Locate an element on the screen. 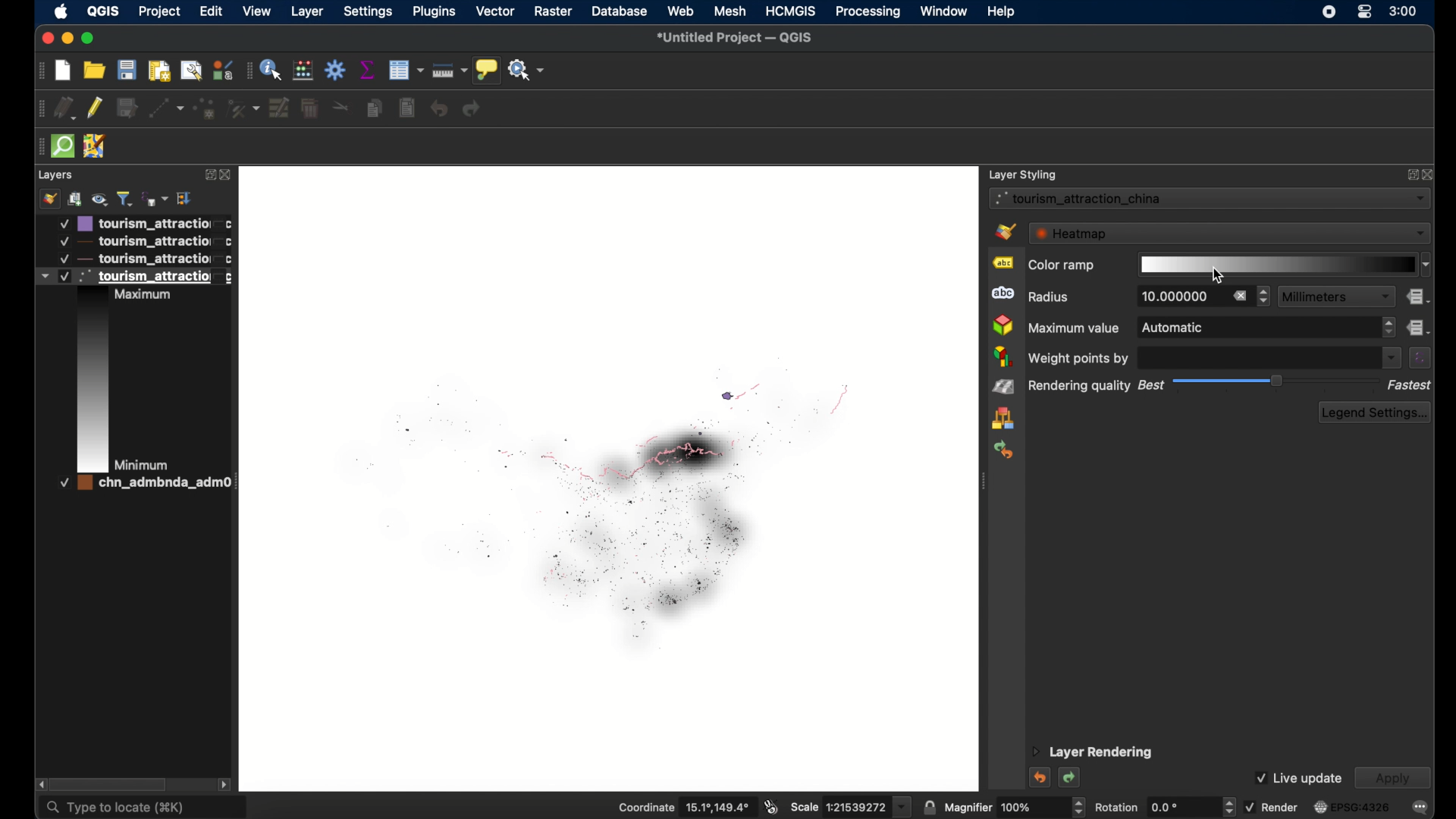  filter is located at coordinates (124, 197).